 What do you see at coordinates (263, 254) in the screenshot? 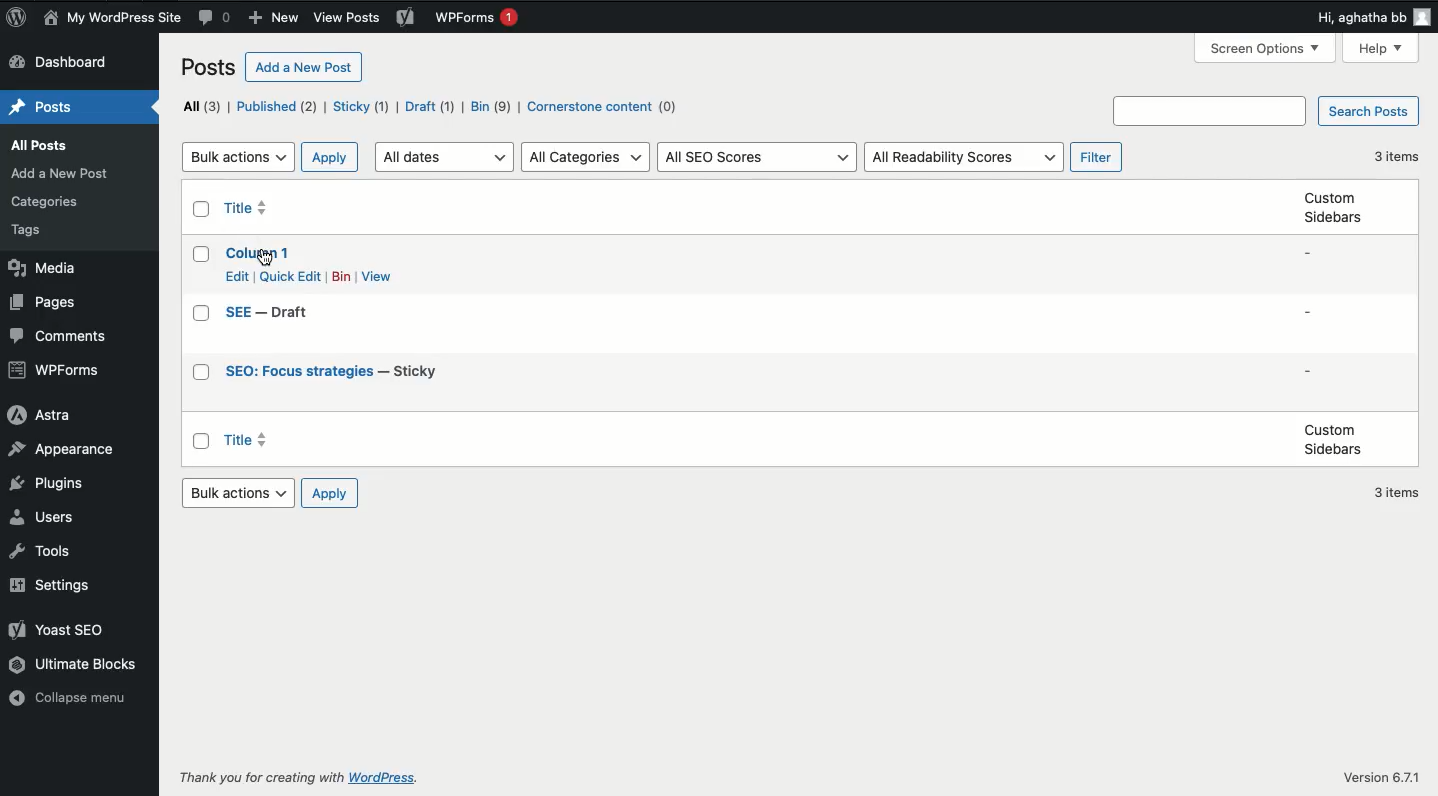
I see `Cursor` at bounding box center [263, 254].